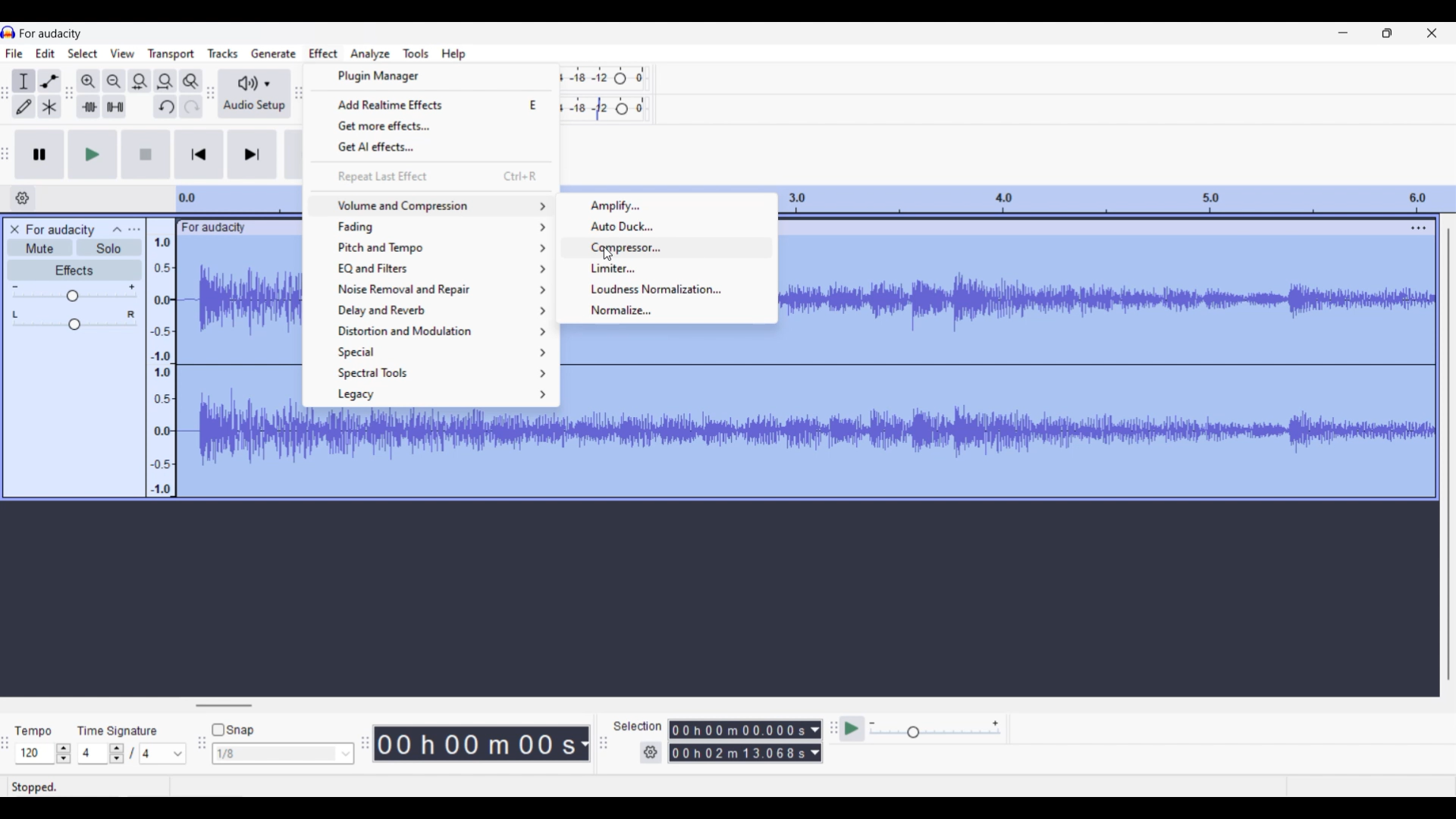 The height and width of the screenshot is (819, 1456). Describe the element at coordinates (146, 154) in the screenshot. I see `Stop` at that location.